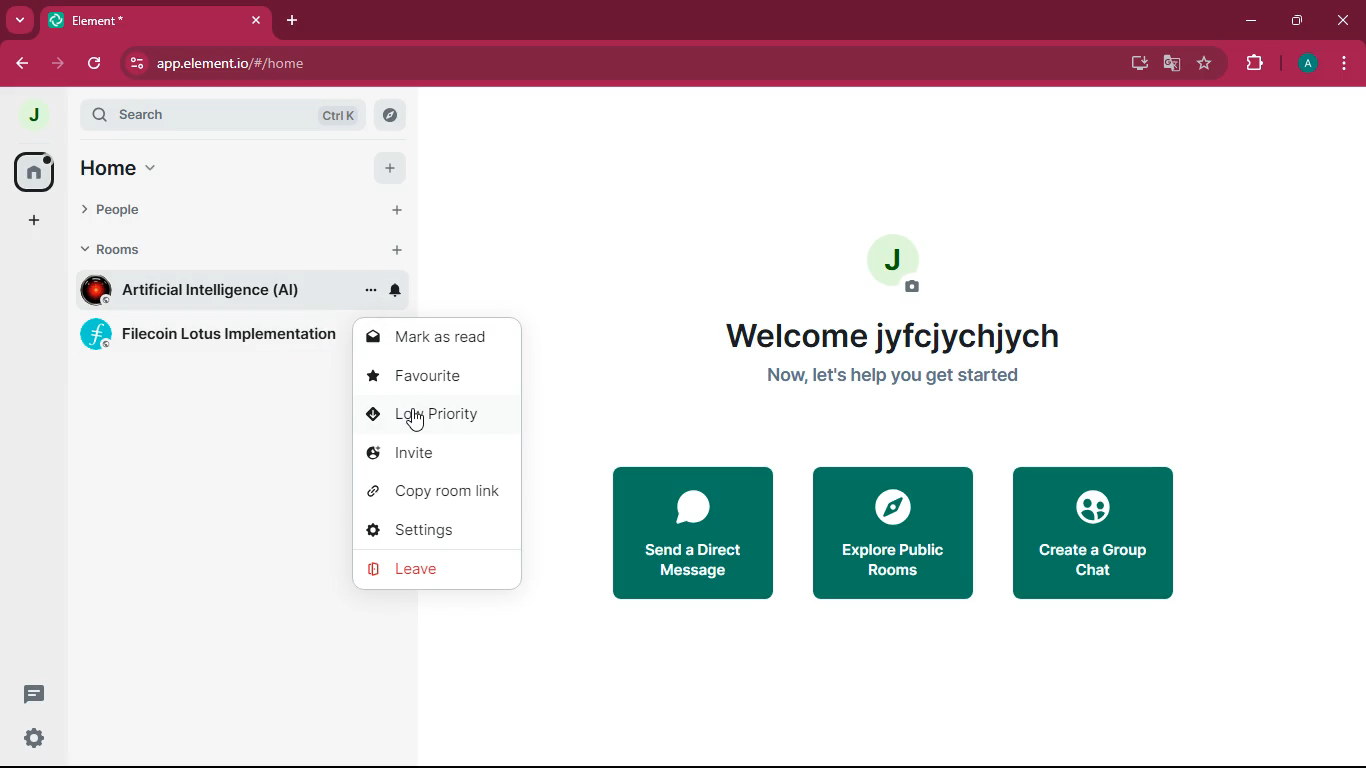  I want to click on low priority, so click(434, 413).